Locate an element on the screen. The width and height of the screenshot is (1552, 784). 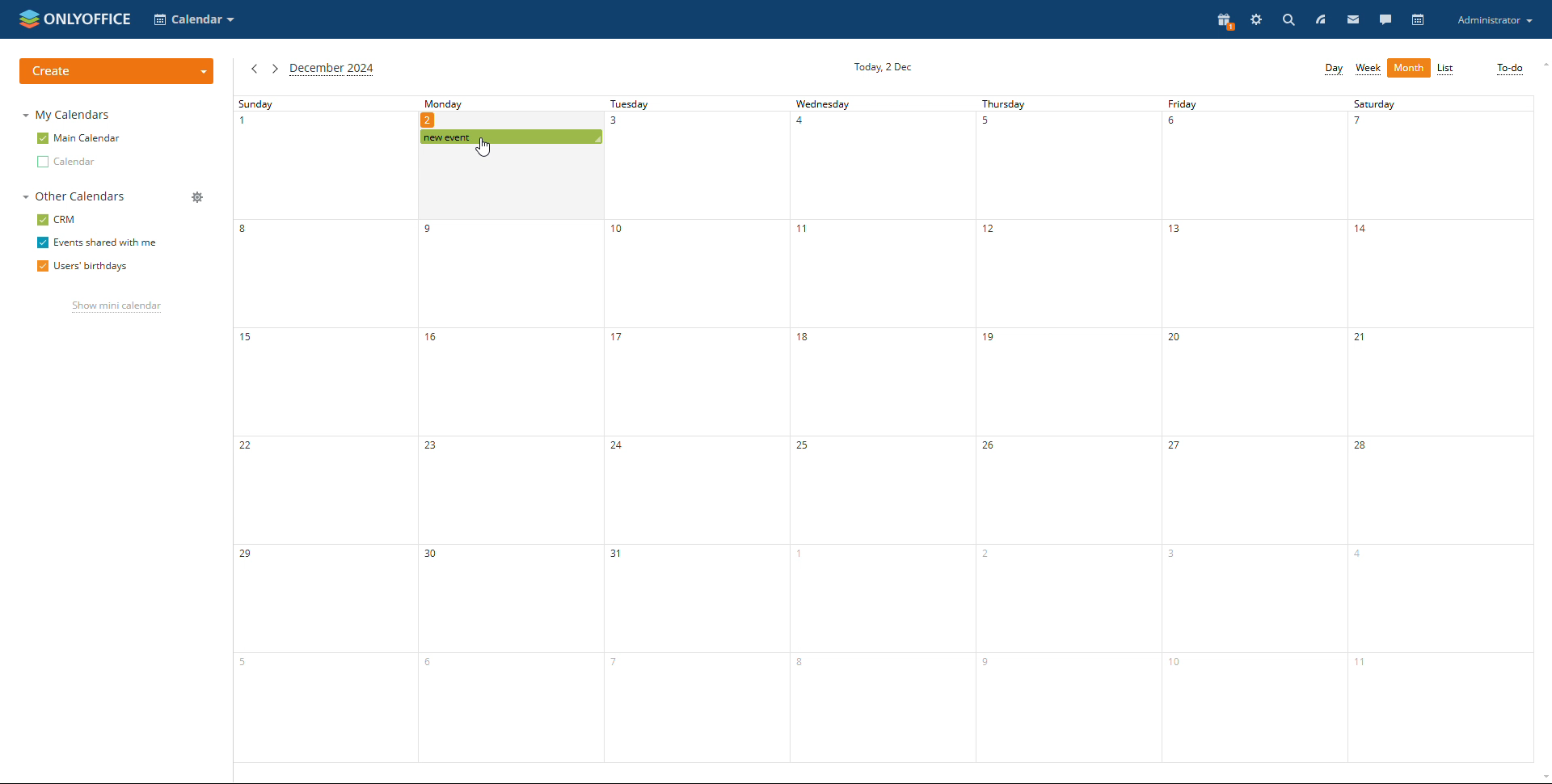
mail is located at coordinates (1352, 20).